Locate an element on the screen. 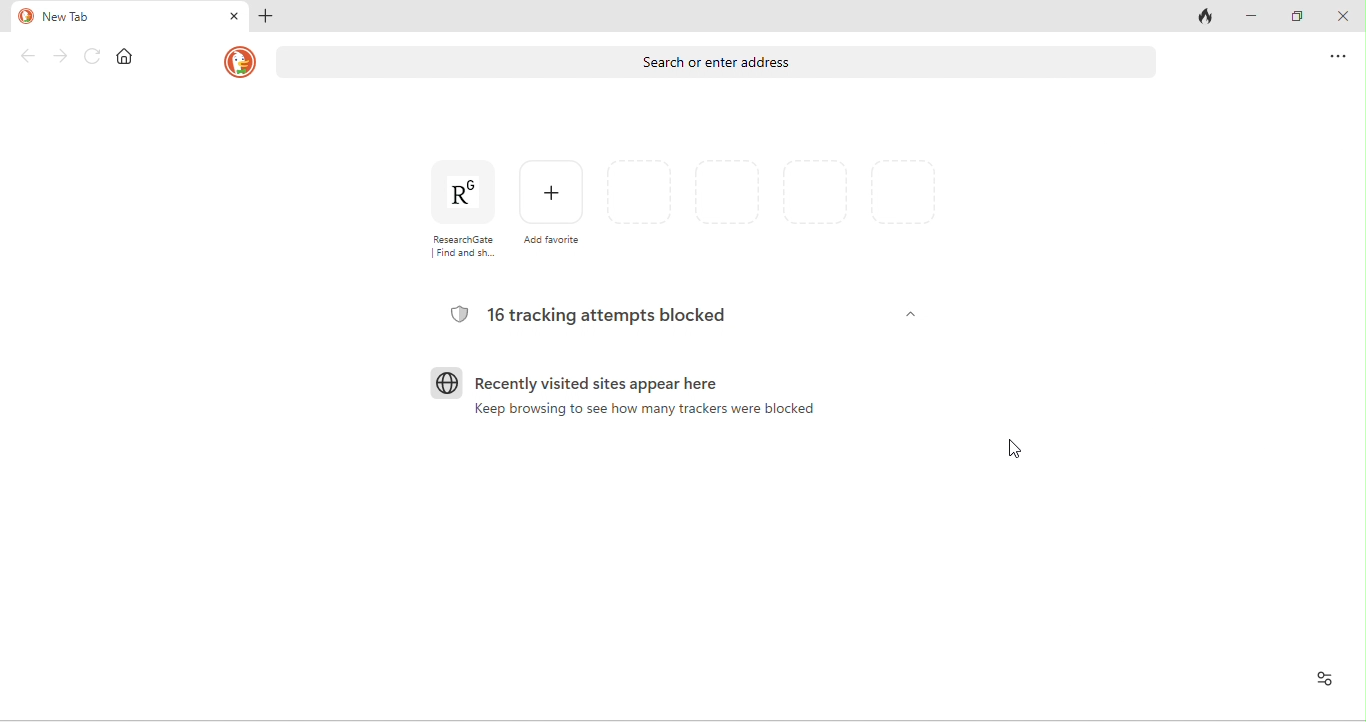 Image resolution: width=1366 pixels, height=722 pixels. hide is located at coordinates (908, 315).